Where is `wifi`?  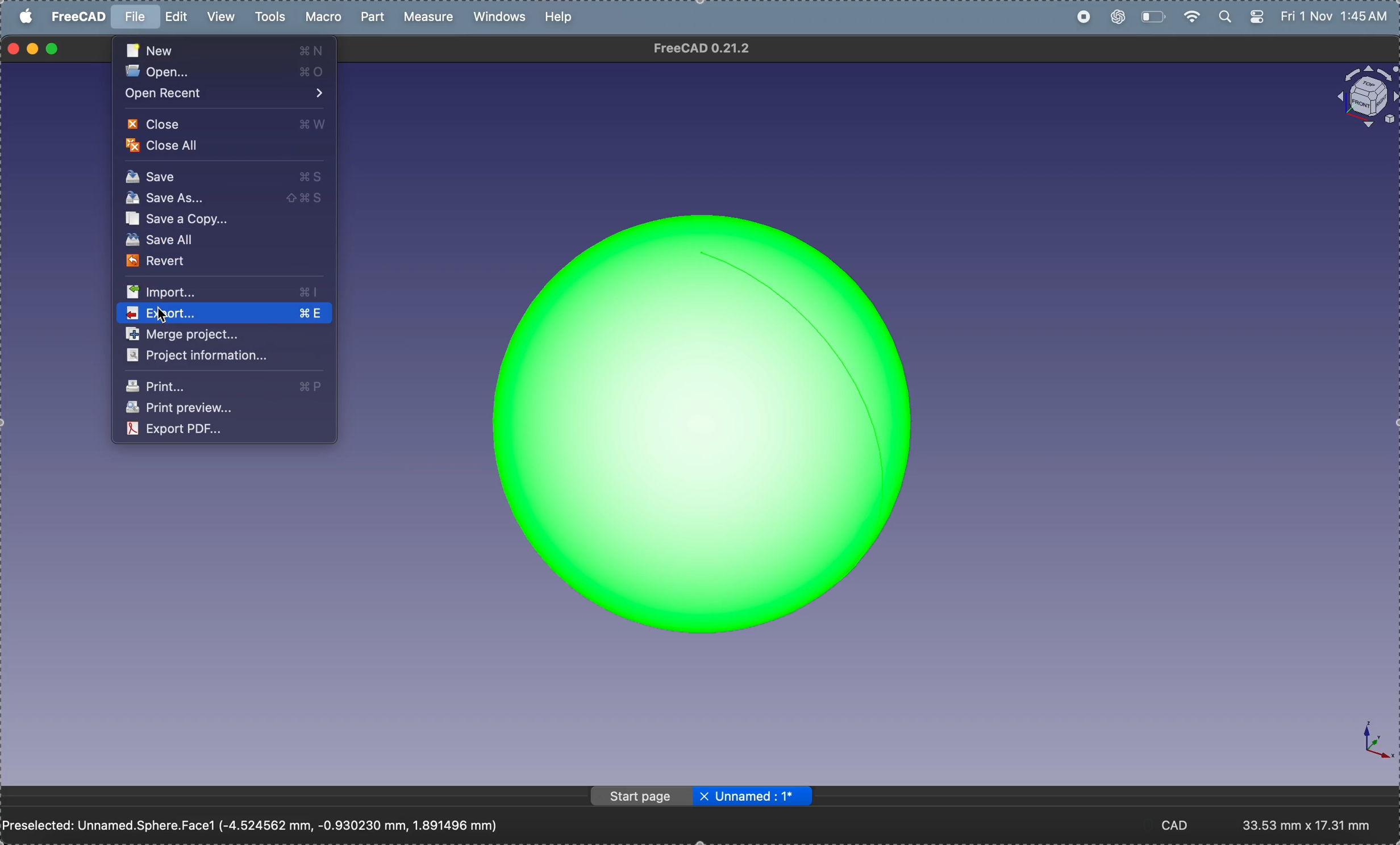 wifi is located at coordinates (1191, 15).